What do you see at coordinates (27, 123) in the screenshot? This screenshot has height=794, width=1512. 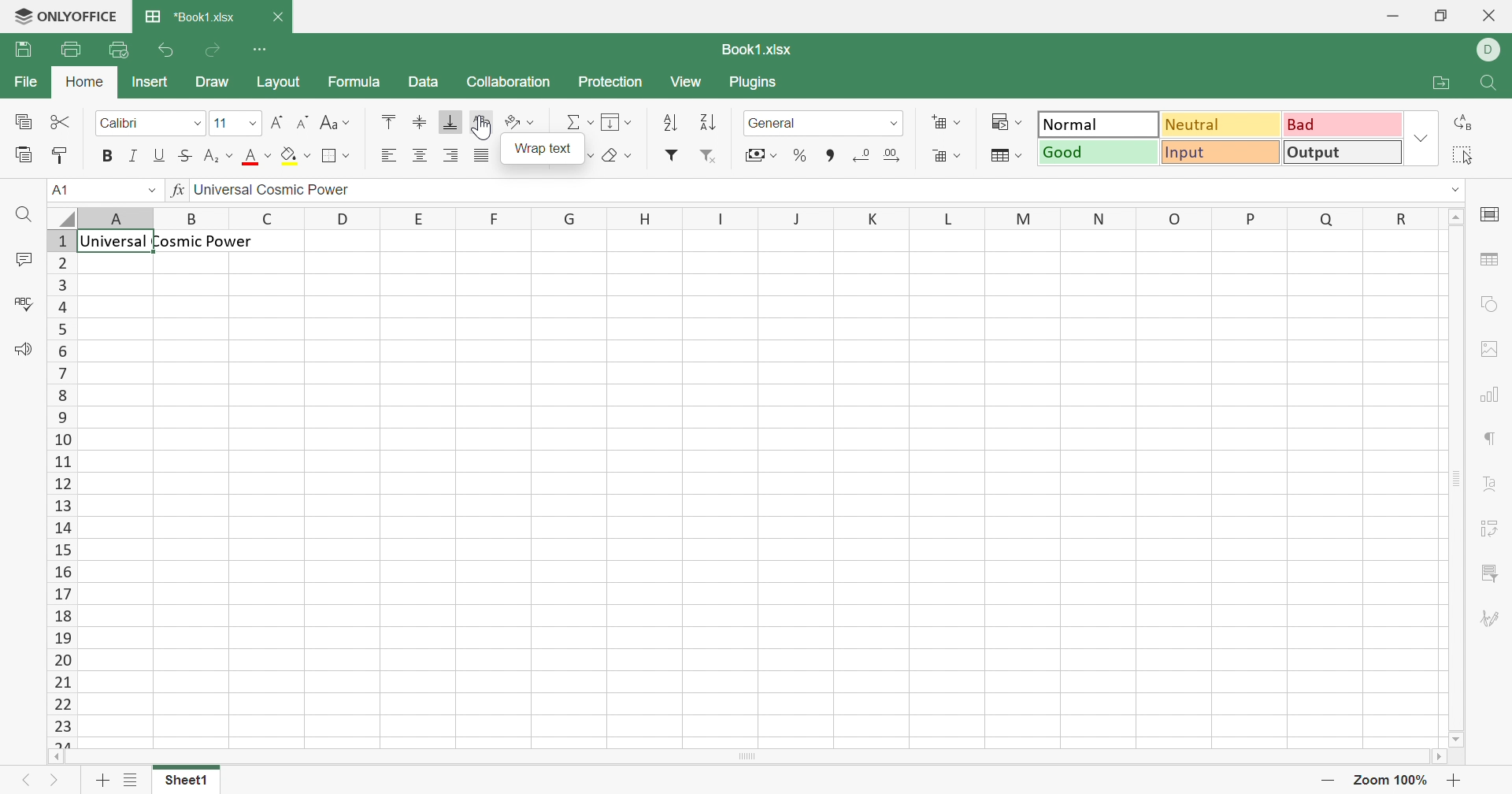 I see `Copy` at bounding box center [27, 123].